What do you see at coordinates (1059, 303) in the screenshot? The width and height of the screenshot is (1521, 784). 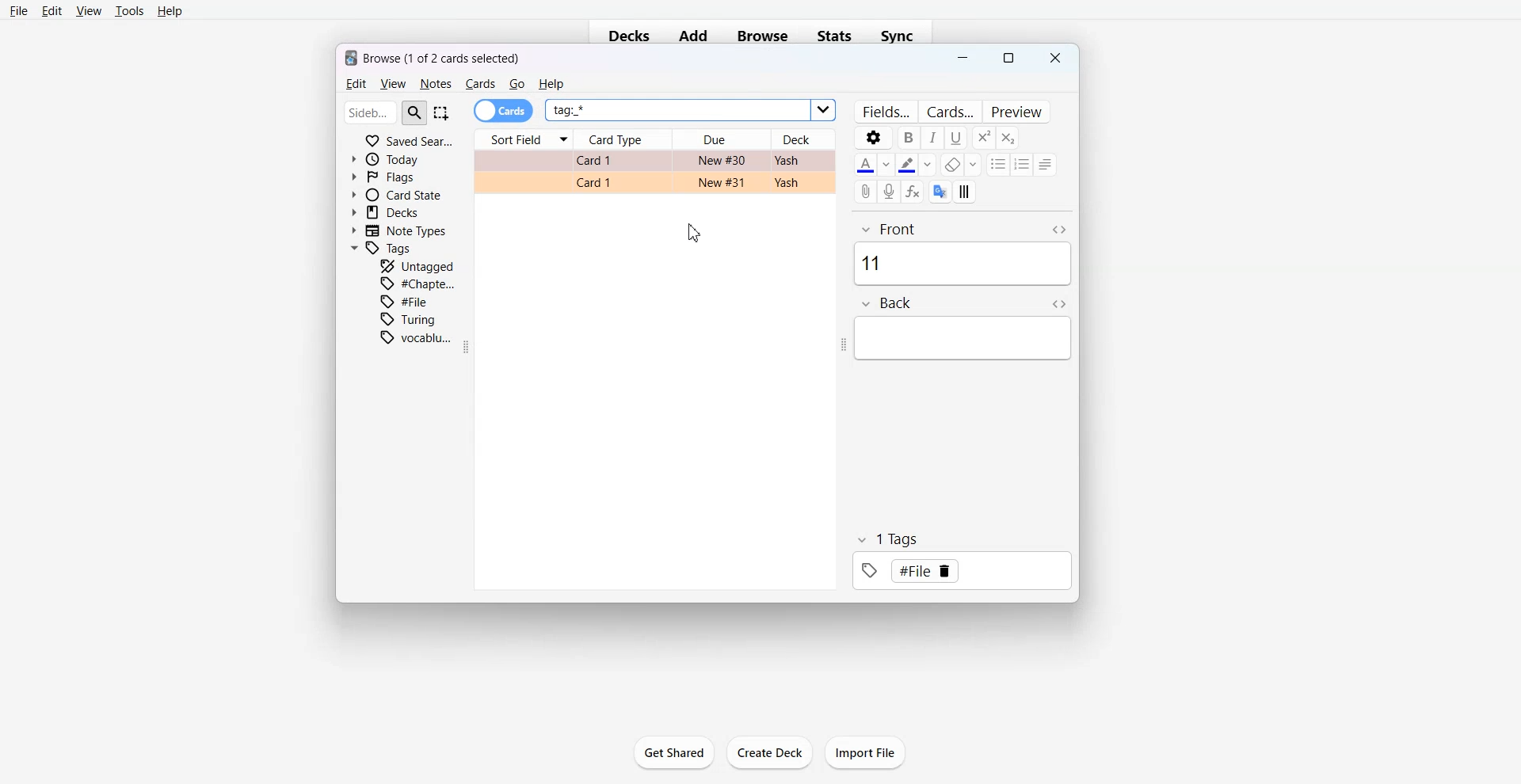 I see `Toggle HTML Editor` at bounding box center [1059, 303].